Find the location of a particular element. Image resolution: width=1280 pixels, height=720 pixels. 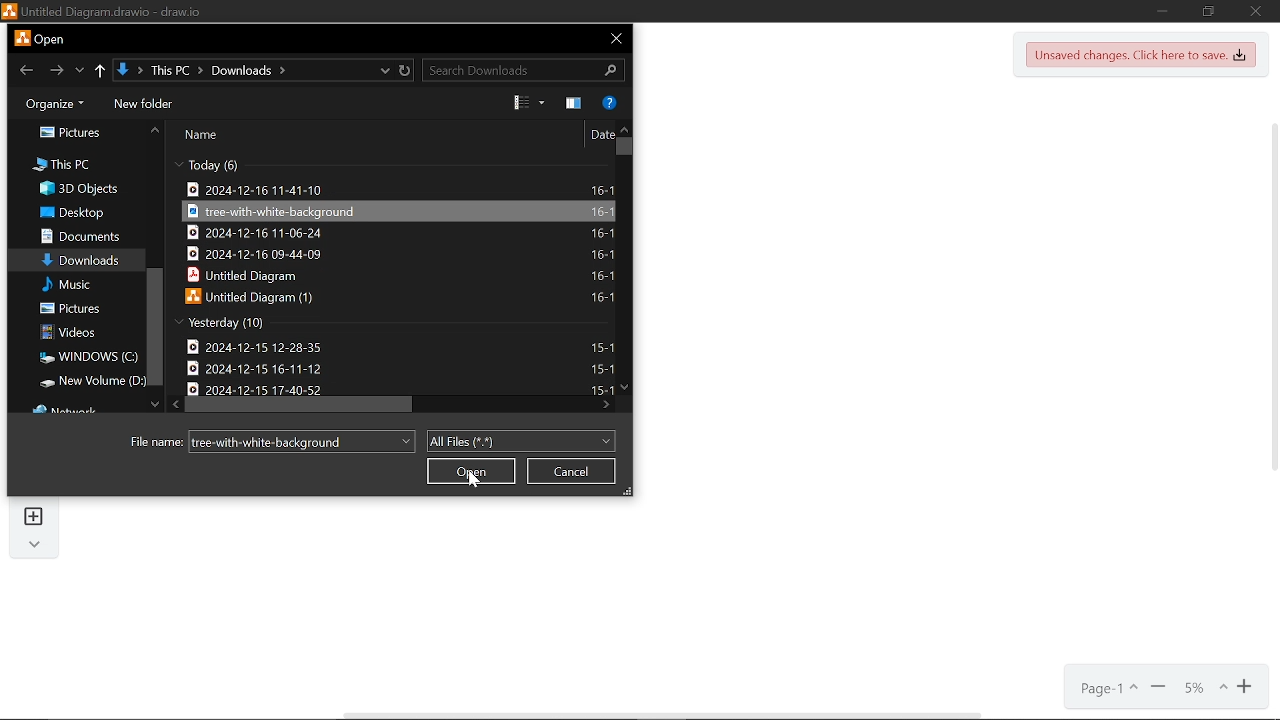

pictures is located at coordinates (70, 310).